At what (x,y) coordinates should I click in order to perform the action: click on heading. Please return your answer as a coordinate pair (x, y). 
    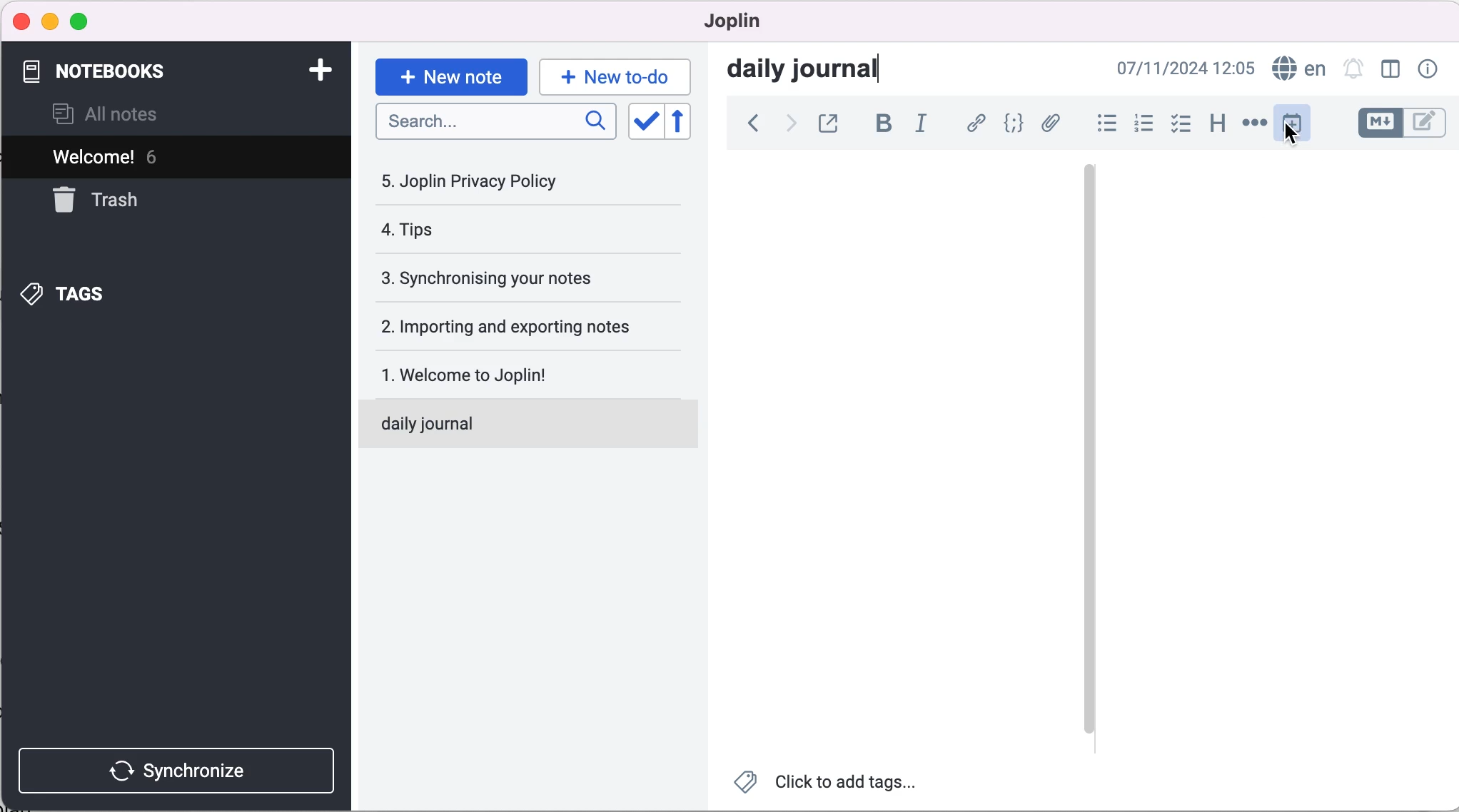
    Looking at the image, I should click on (1216, 123).